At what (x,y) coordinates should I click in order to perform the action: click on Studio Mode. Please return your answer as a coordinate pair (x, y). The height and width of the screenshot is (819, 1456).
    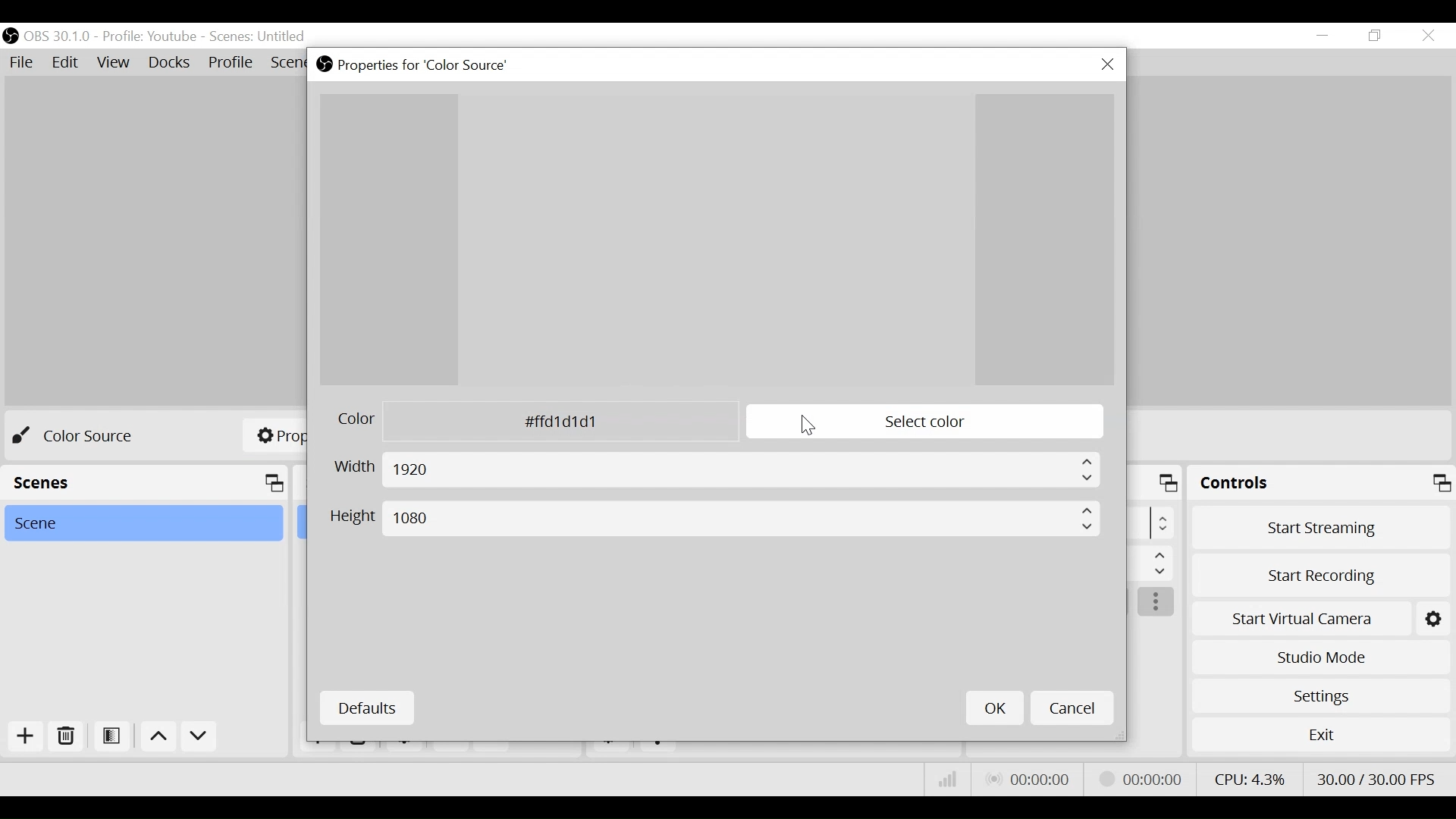
    Looking at the image, I should click on (1320, 657).